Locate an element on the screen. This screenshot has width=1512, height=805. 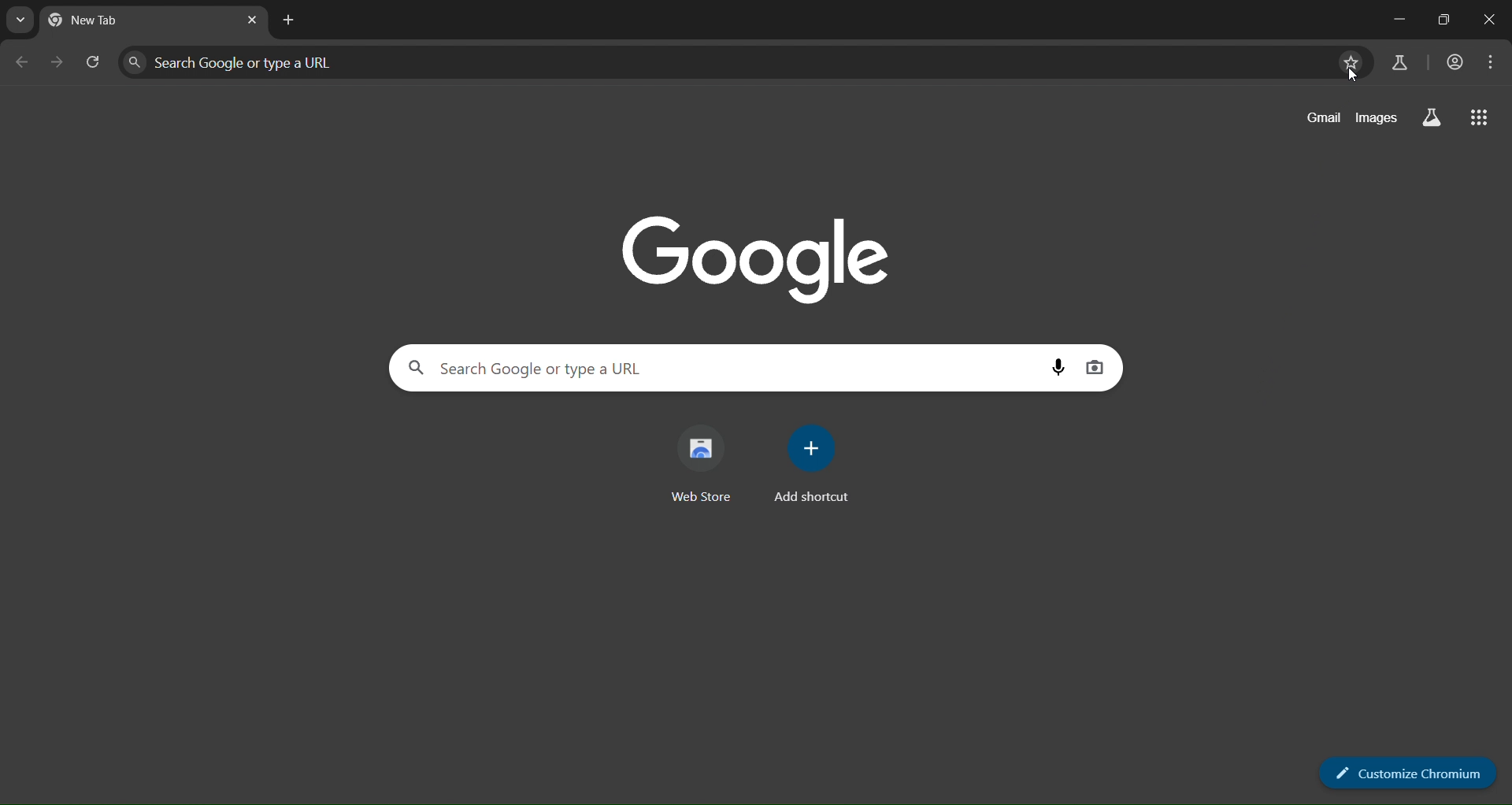
Search Google or type a URL is located at coordinates (717, 366).